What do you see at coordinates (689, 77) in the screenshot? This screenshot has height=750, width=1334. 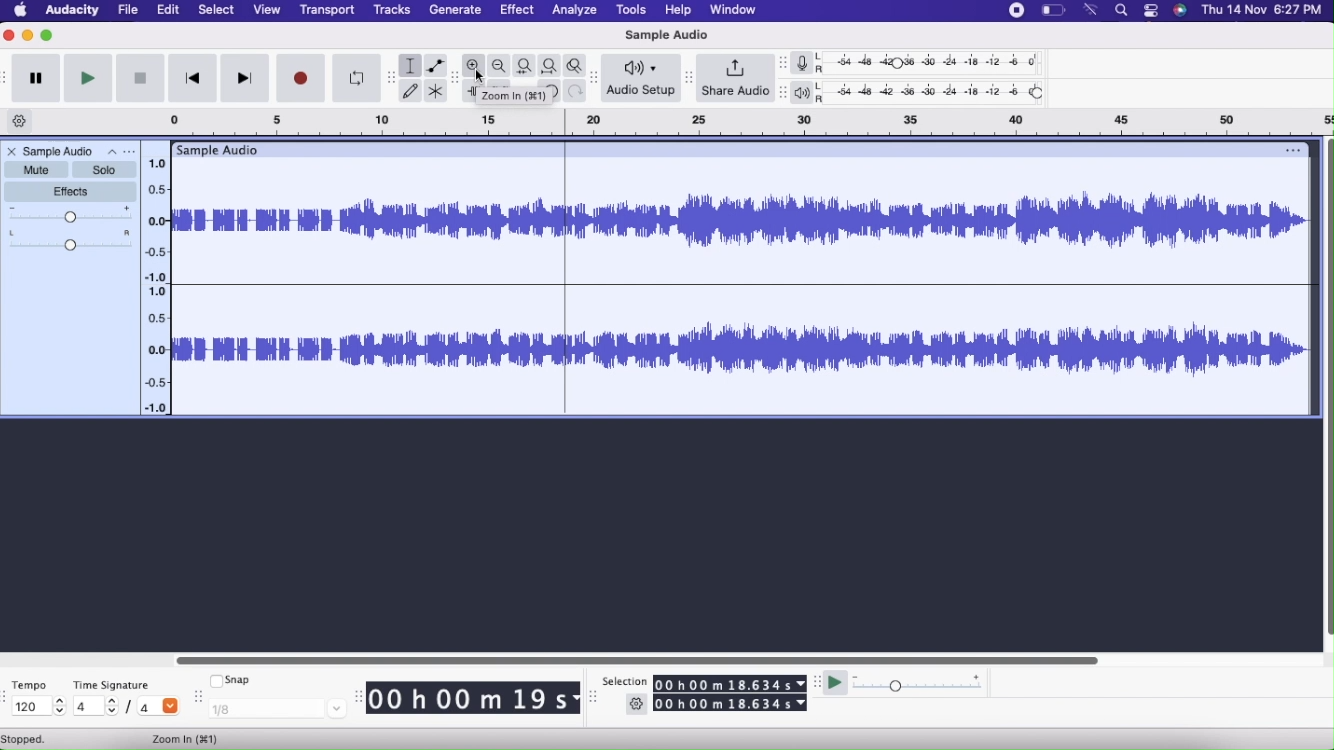 I see `resize` at bounding box center [689, 77].